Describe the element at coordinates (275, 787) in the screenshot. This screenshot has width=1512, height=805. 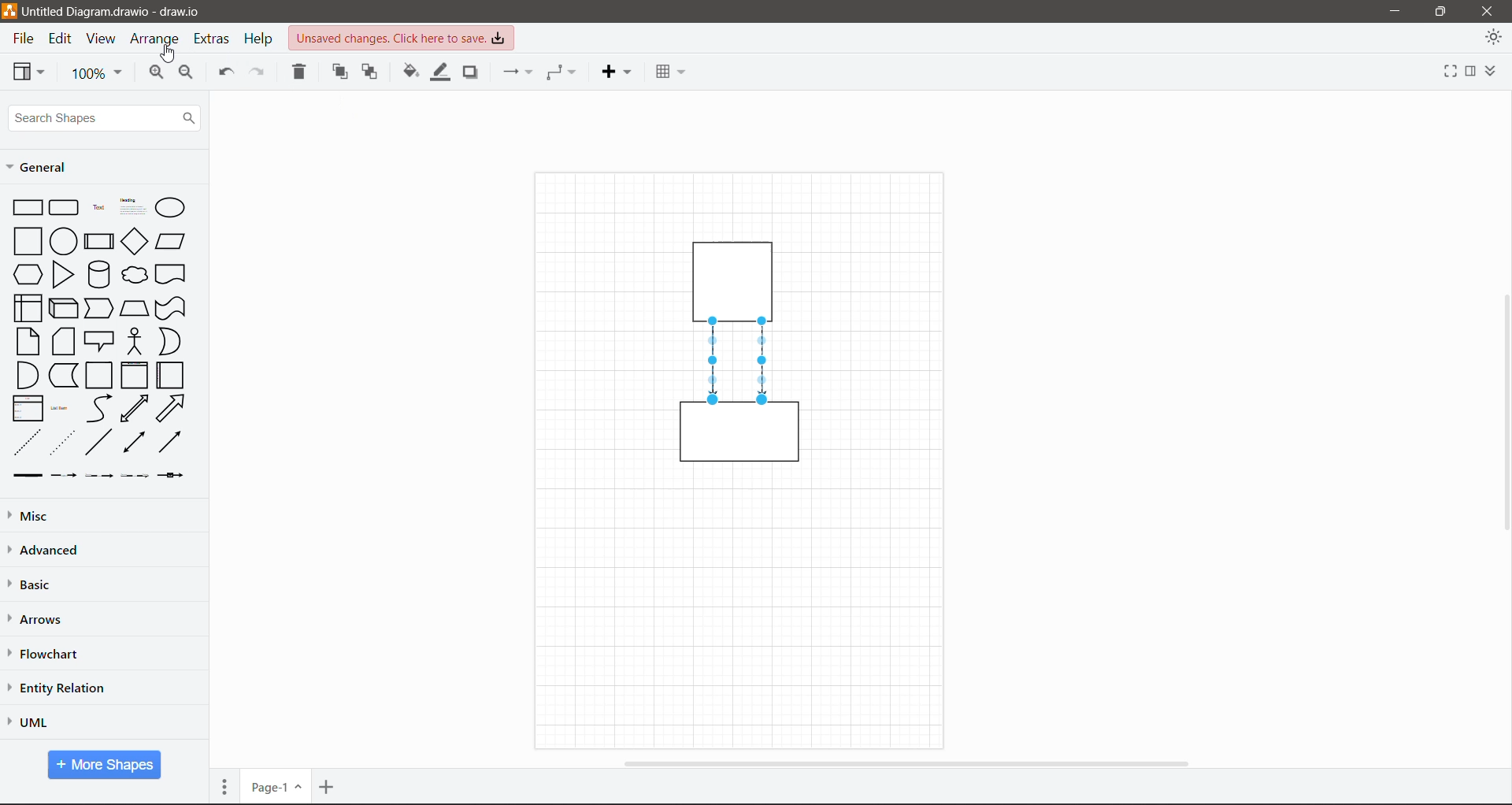
I see `Page Number` at that location.